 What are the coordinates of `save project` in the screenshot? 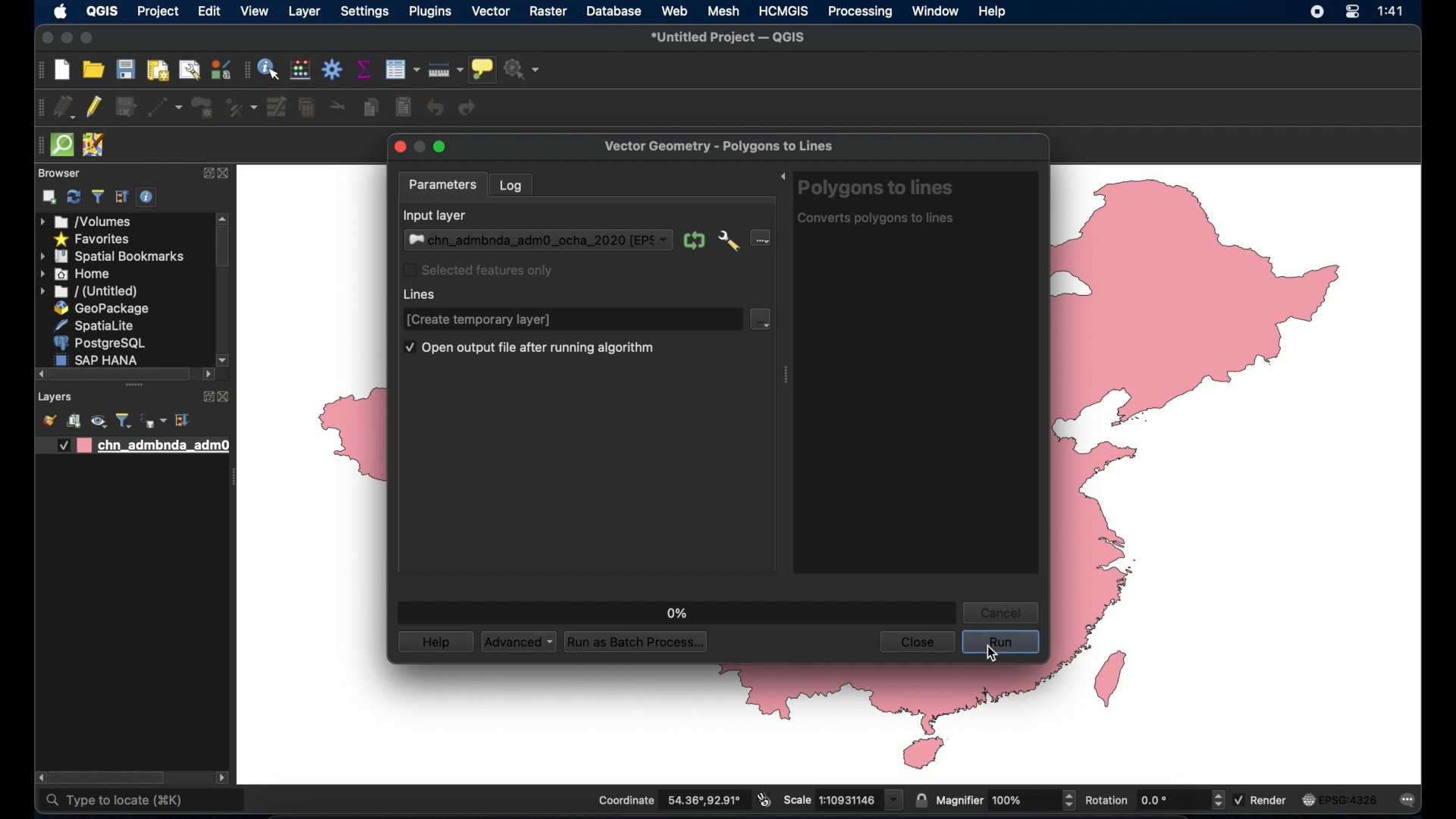 It's located at (125, 69).